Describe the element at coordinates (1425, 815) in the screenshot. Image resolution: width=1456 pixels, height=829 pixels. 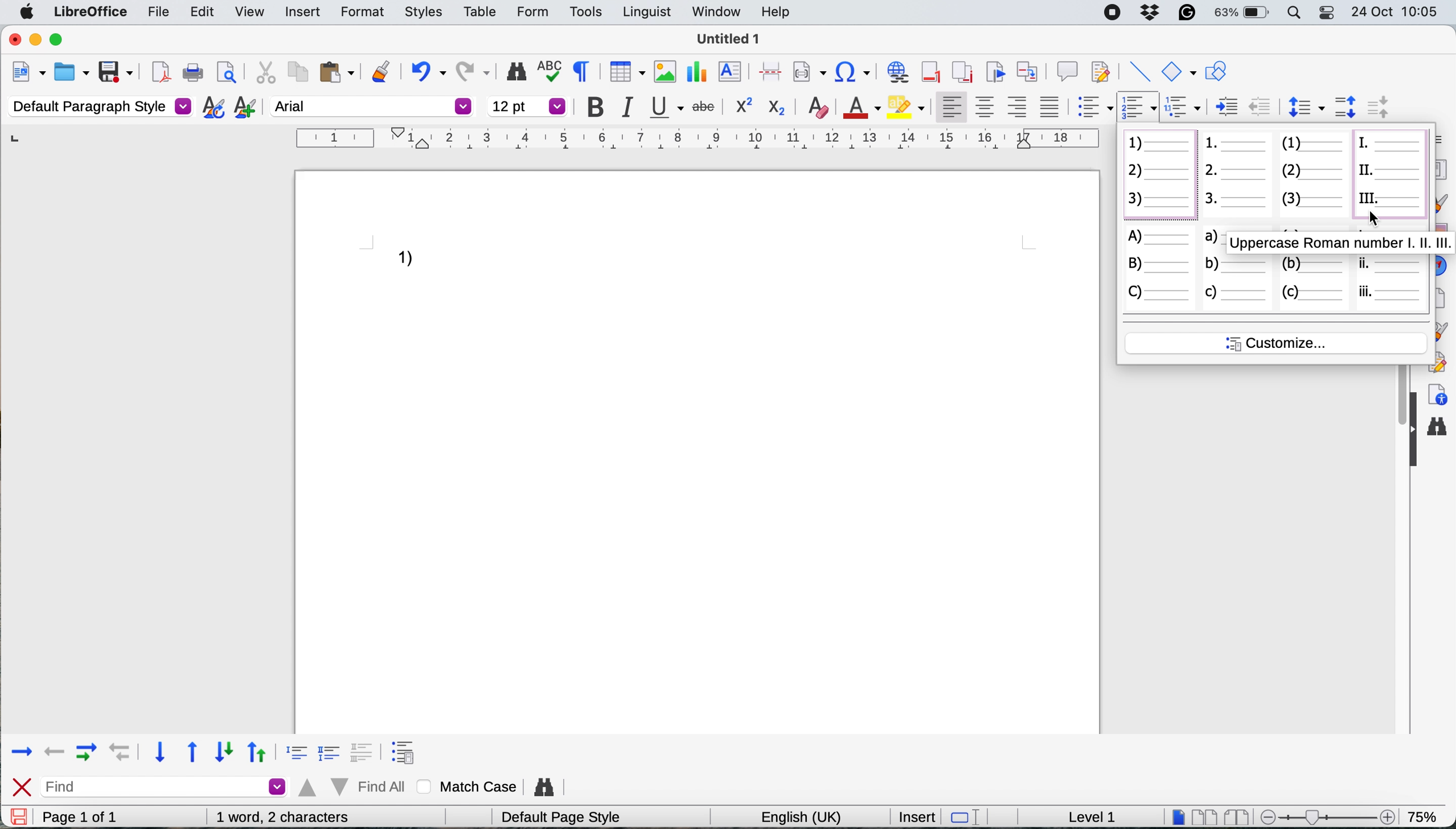
I see `75%` at that location.